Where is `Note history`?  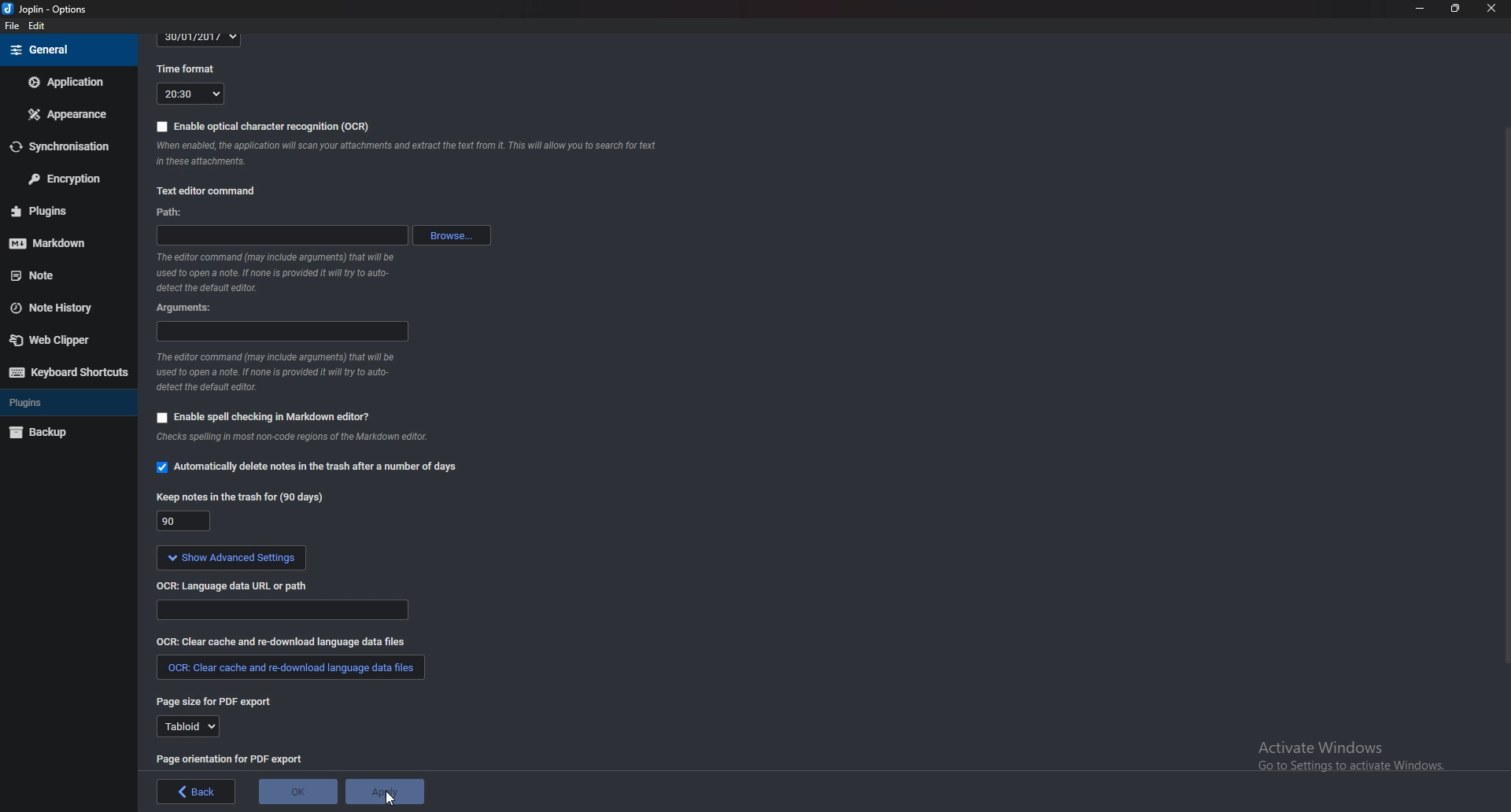 Note history is located at coordinates (59, 309).